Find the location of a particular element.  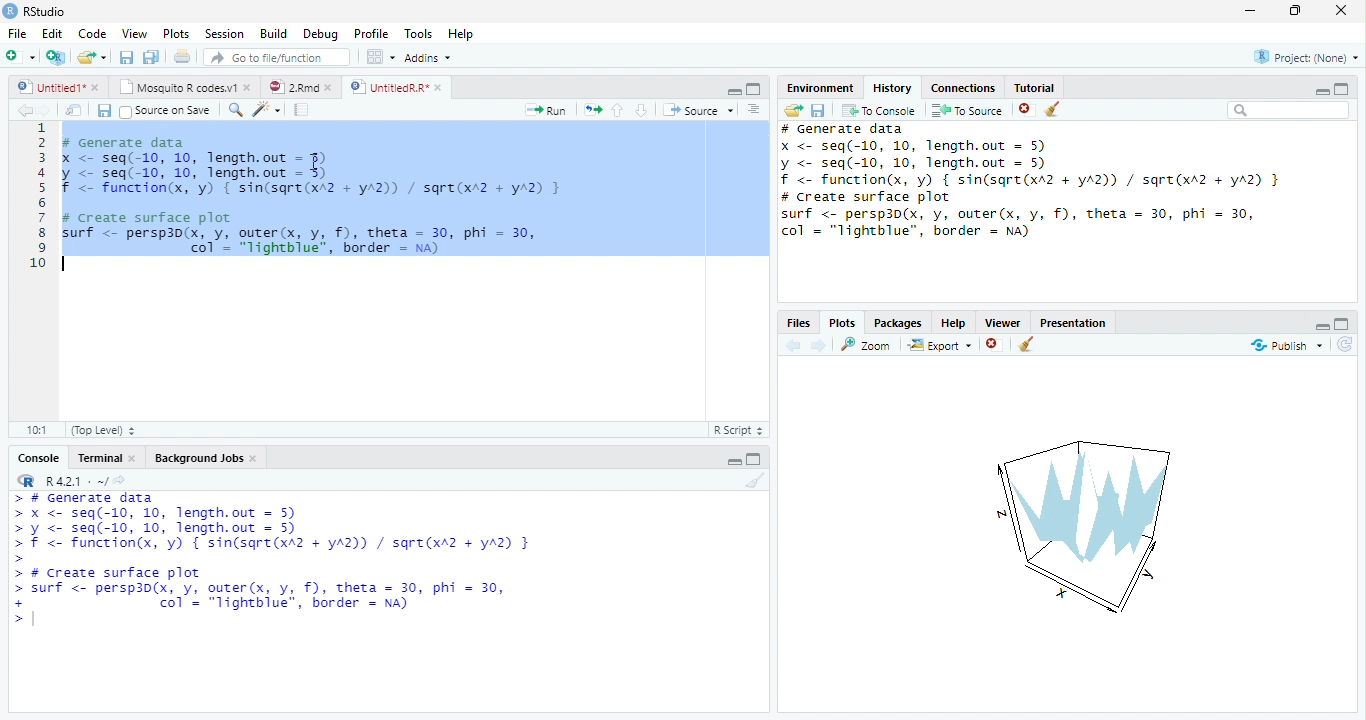

Profile is located at coordinates (372, 33).